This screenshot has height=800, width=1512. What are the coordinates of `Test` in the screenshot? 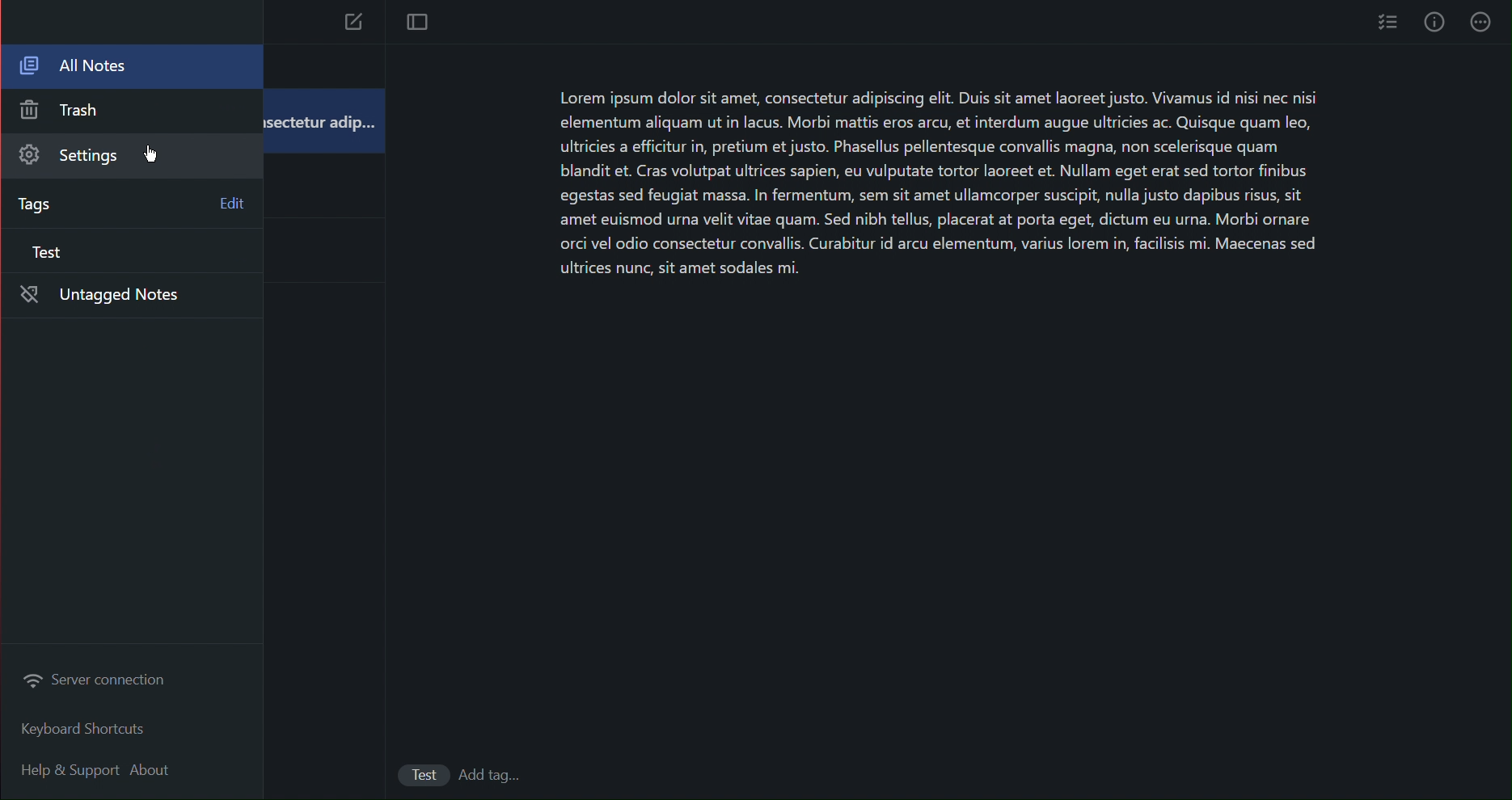 It's located at (54, 255).